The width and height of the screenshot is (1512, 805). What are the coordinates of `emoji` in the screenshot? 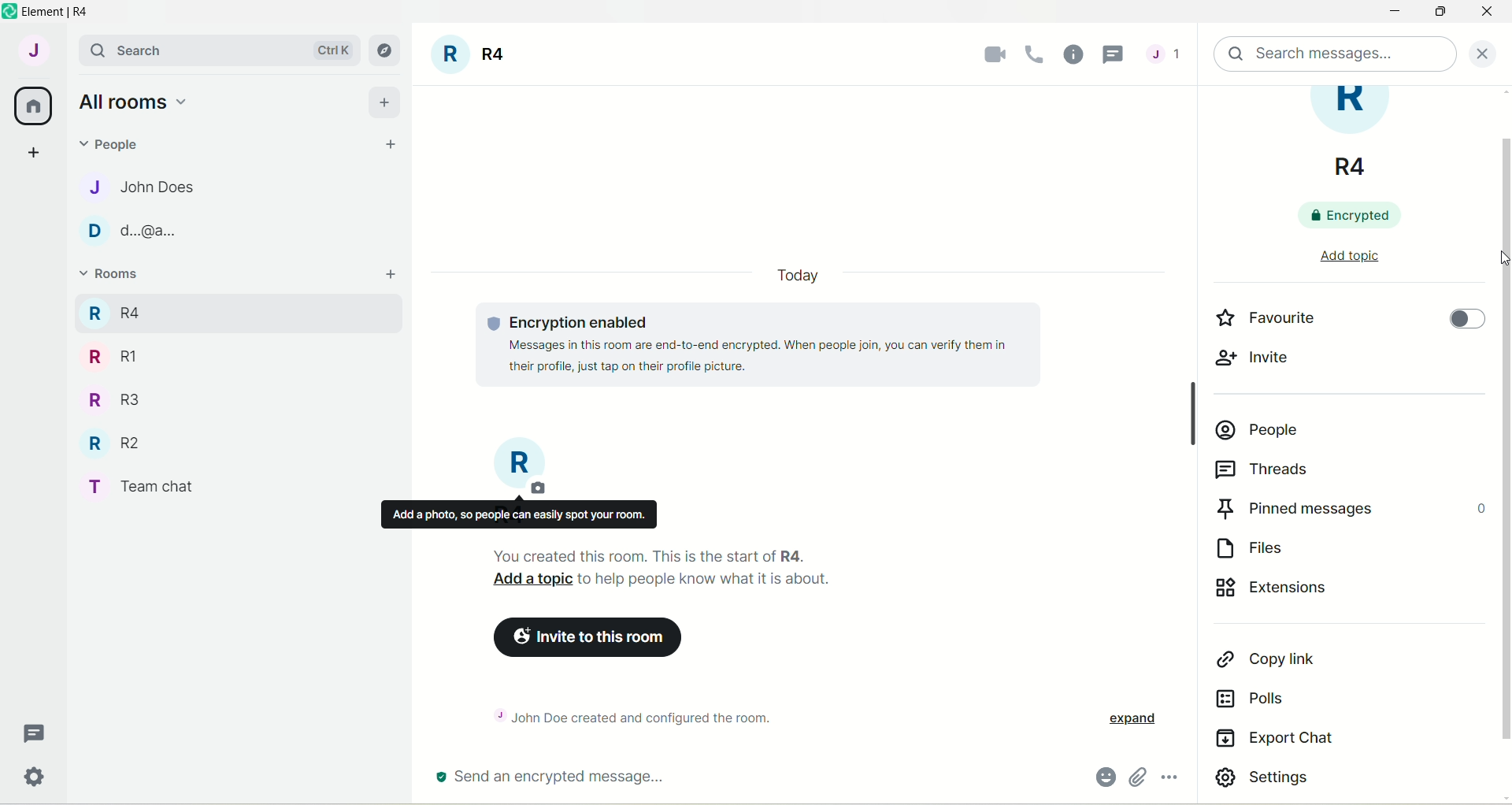 It's located at (1104, 777).